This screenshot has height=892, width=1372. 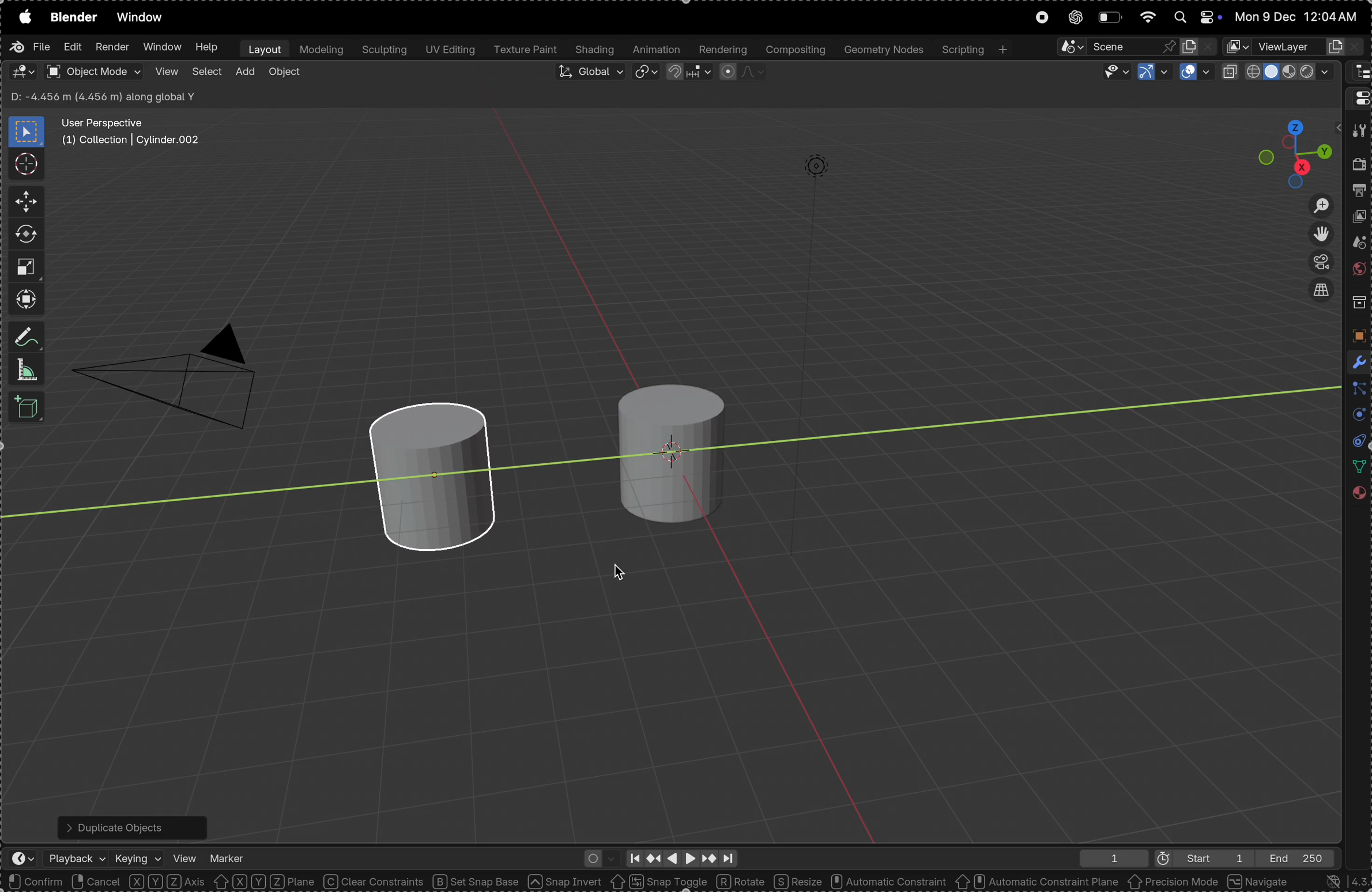 I want to click on precision mode, so click(x=1174, y=883).